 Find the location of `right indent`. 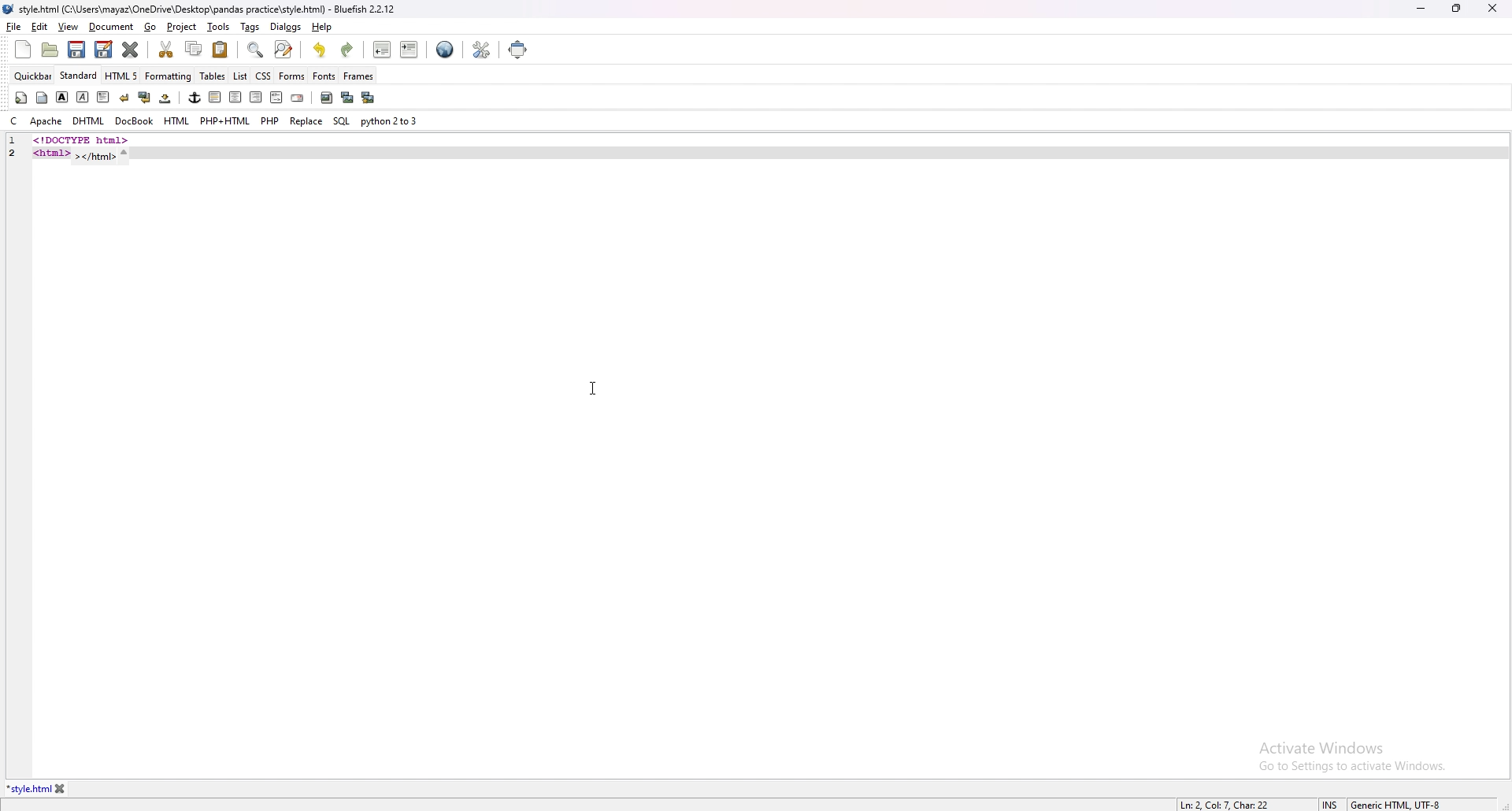

right indent is located at coordinates (254, 97).